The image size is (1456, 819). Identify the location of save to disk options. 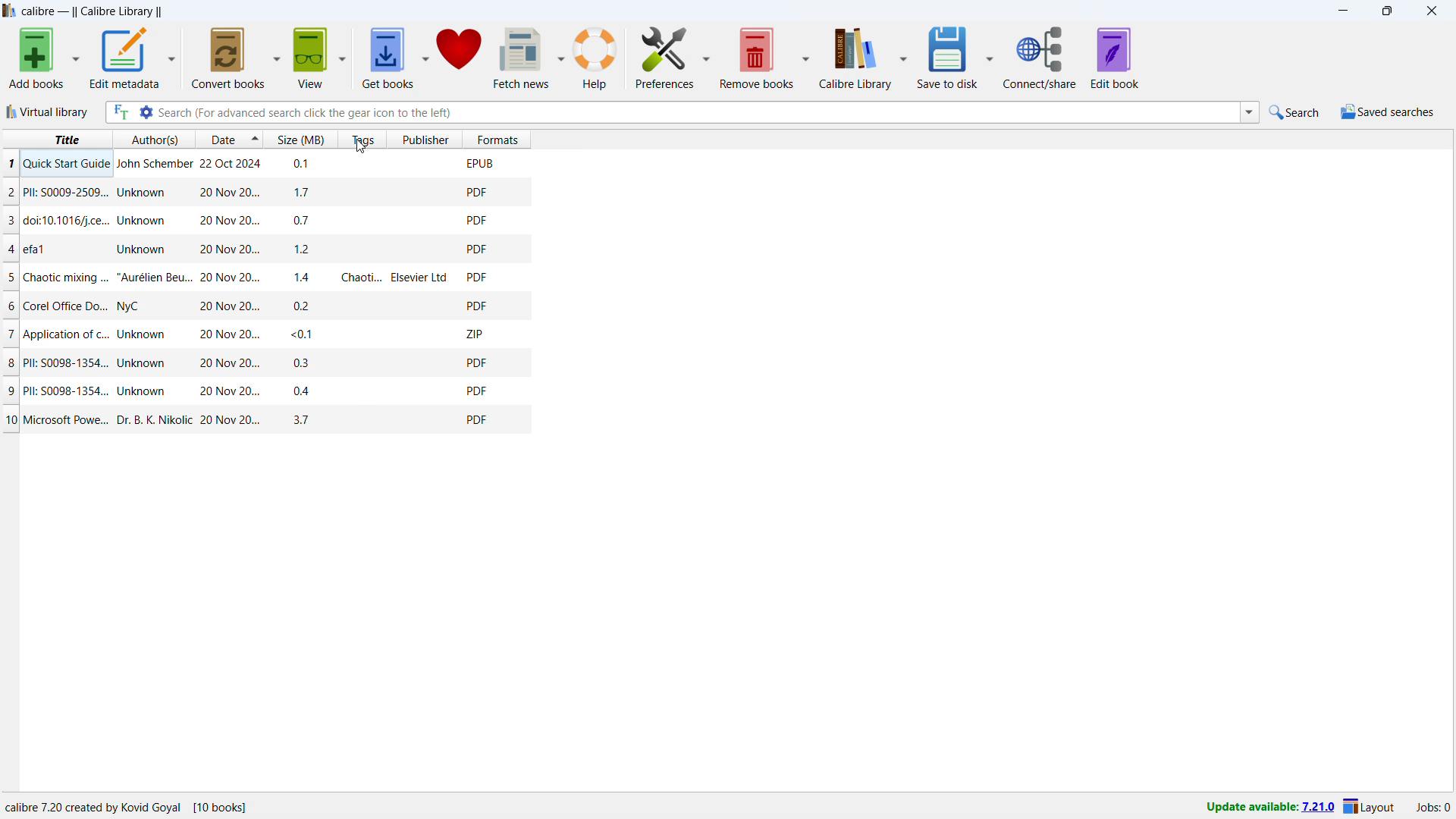
(990, 58).